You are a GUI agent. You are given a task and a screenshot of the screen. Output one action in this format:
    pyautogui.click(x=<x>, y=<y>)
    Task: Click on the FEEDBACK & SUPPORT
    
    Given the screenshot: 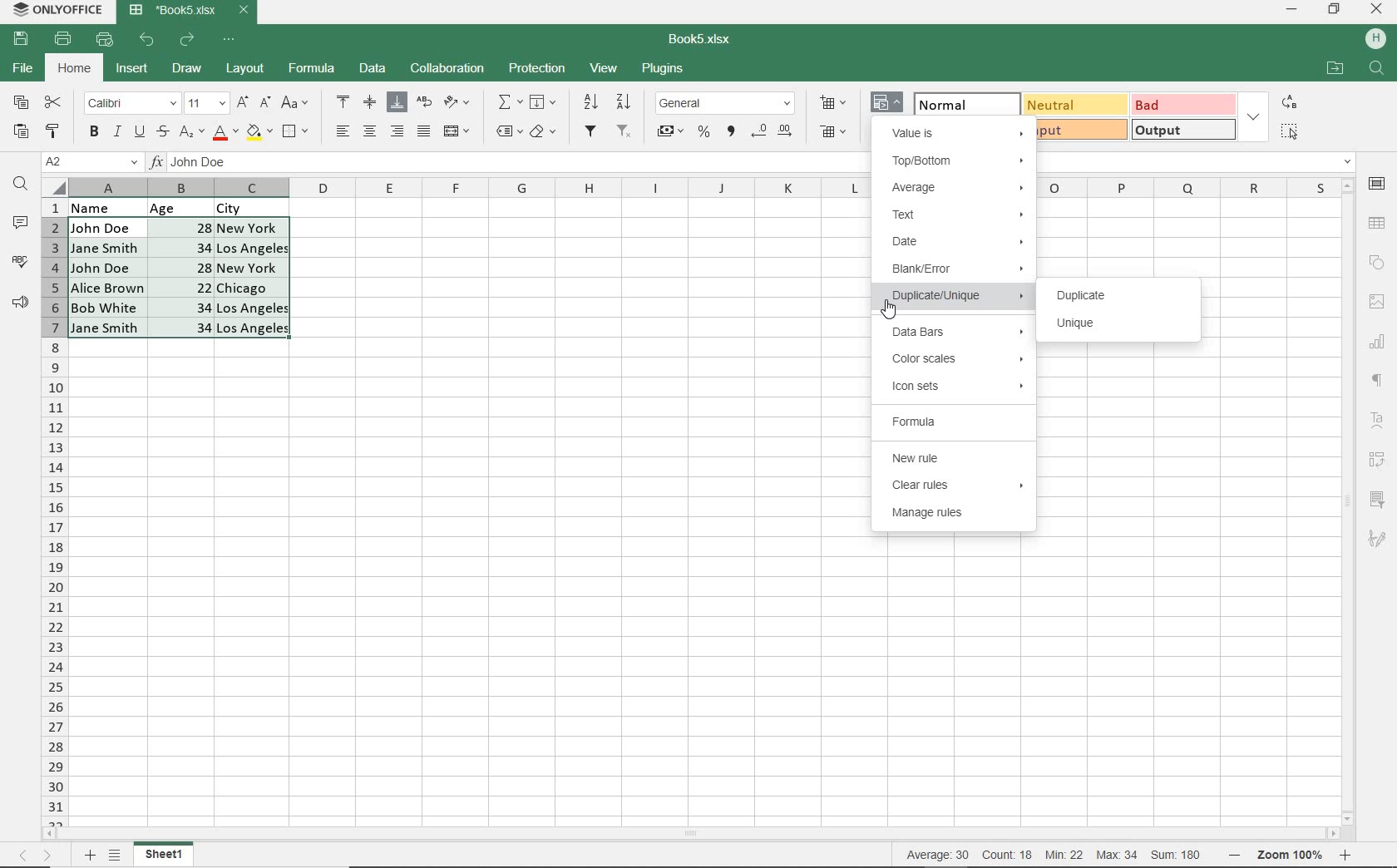 What is the action you would take?
    pyautogui.click(x=21, y=302)
    